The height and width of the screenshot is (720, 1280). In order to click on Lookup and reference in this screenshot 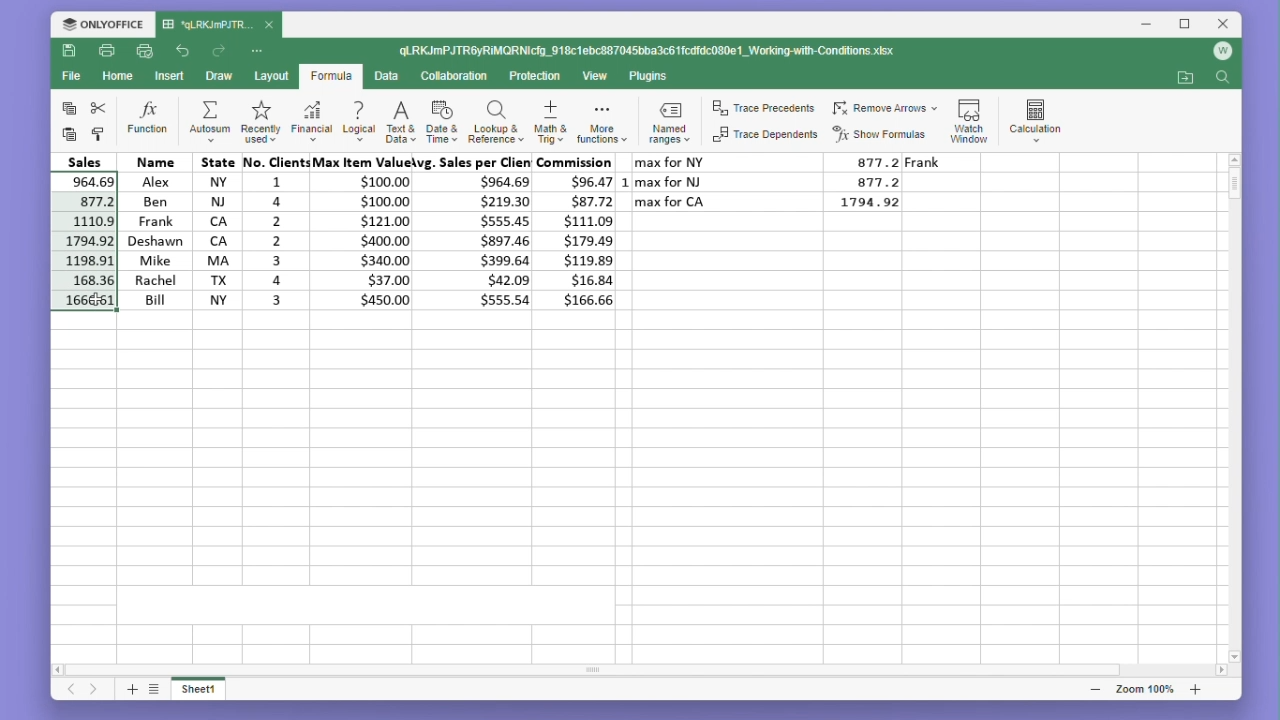, I will do `click(496, 120)`.